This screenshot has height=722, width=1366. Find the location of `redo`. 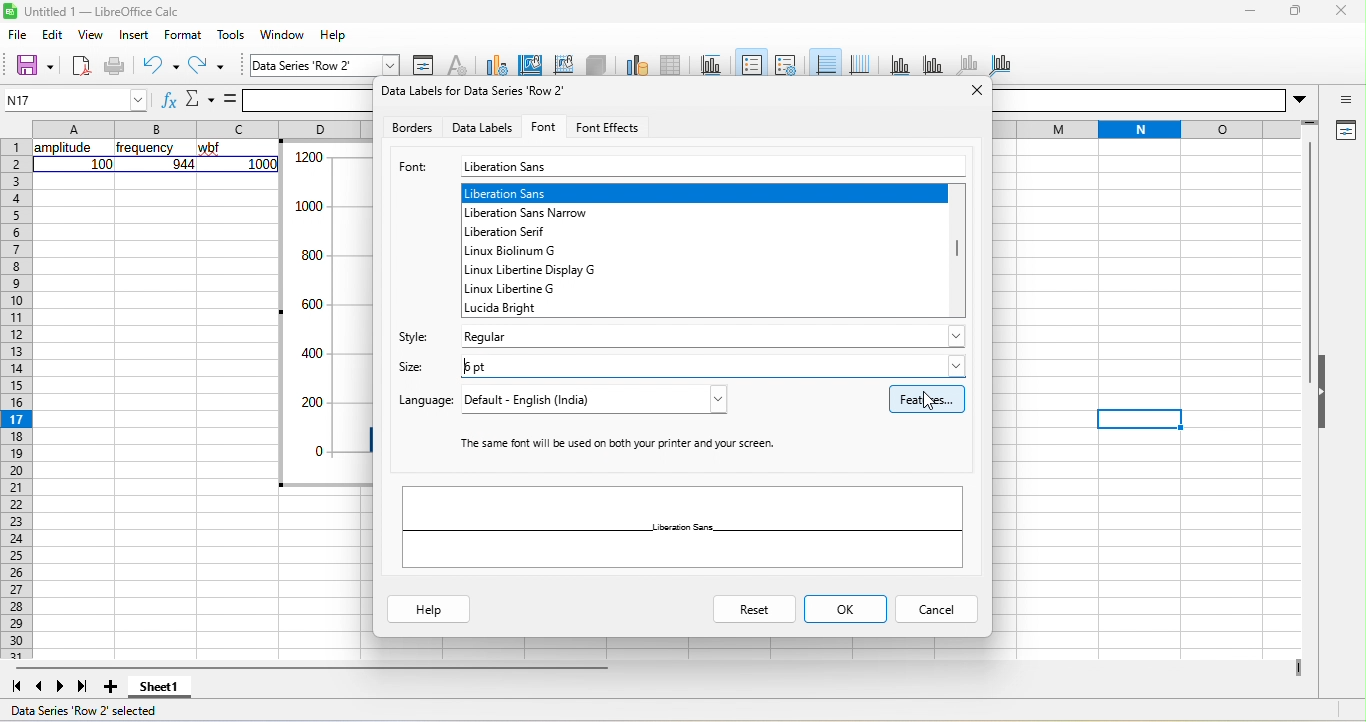

redo is located at coordinates (208, 66).